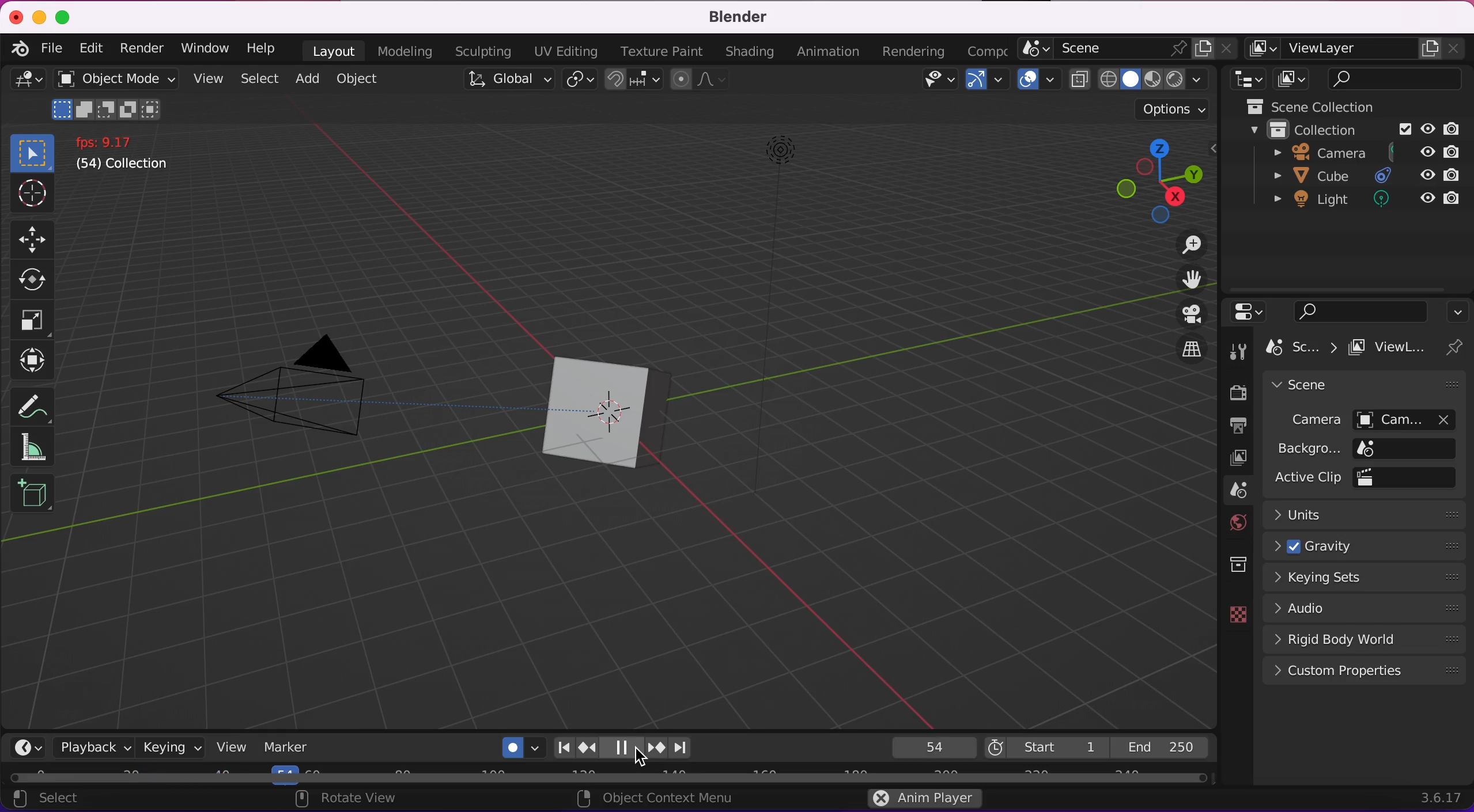 This screenshot has width=1474, height=812. I want to click on overlays, so click(1031, 84).